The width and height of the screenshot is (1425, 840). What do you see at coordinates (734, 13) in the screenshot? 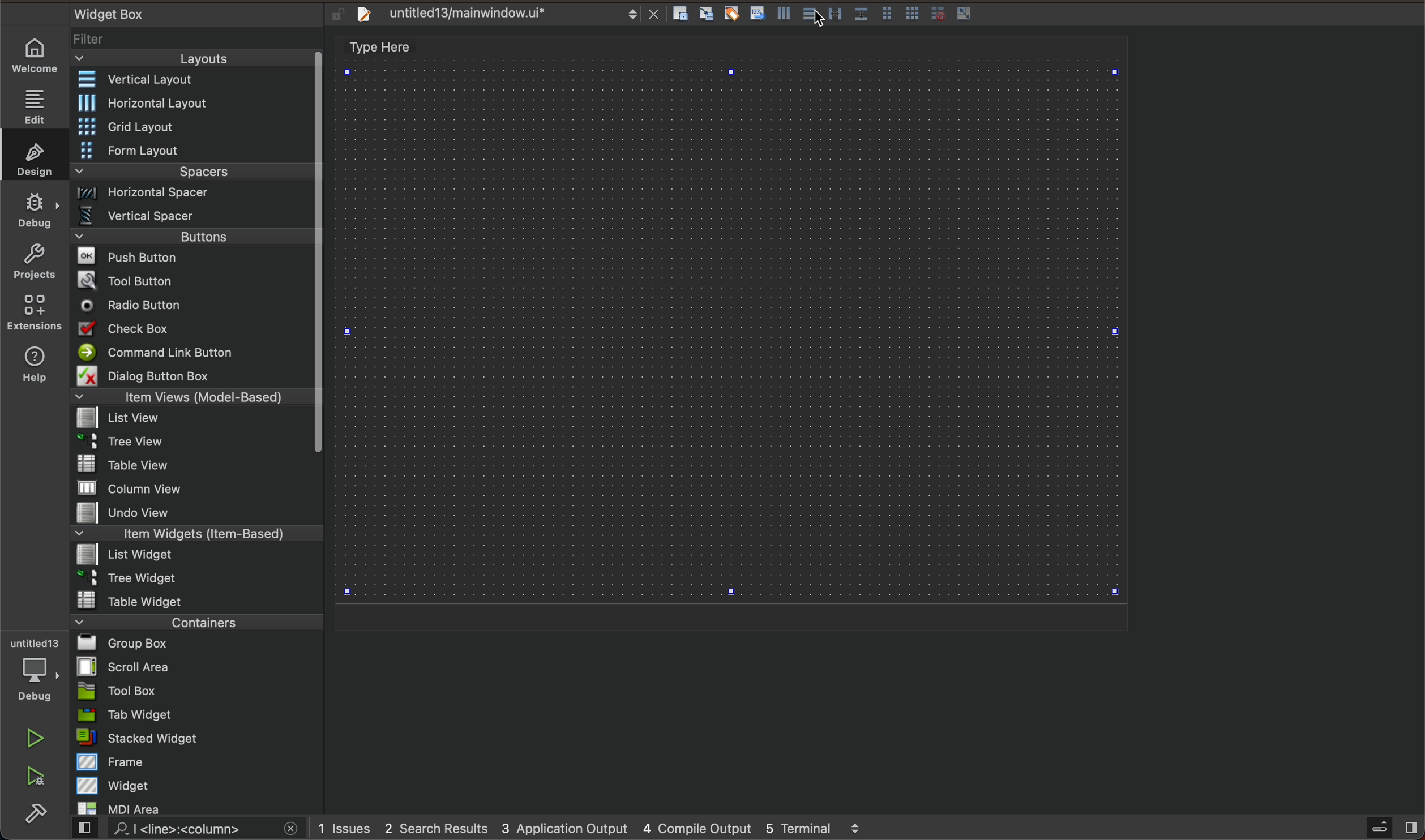
I see `edit buddies` at bounding box center [734, 13].